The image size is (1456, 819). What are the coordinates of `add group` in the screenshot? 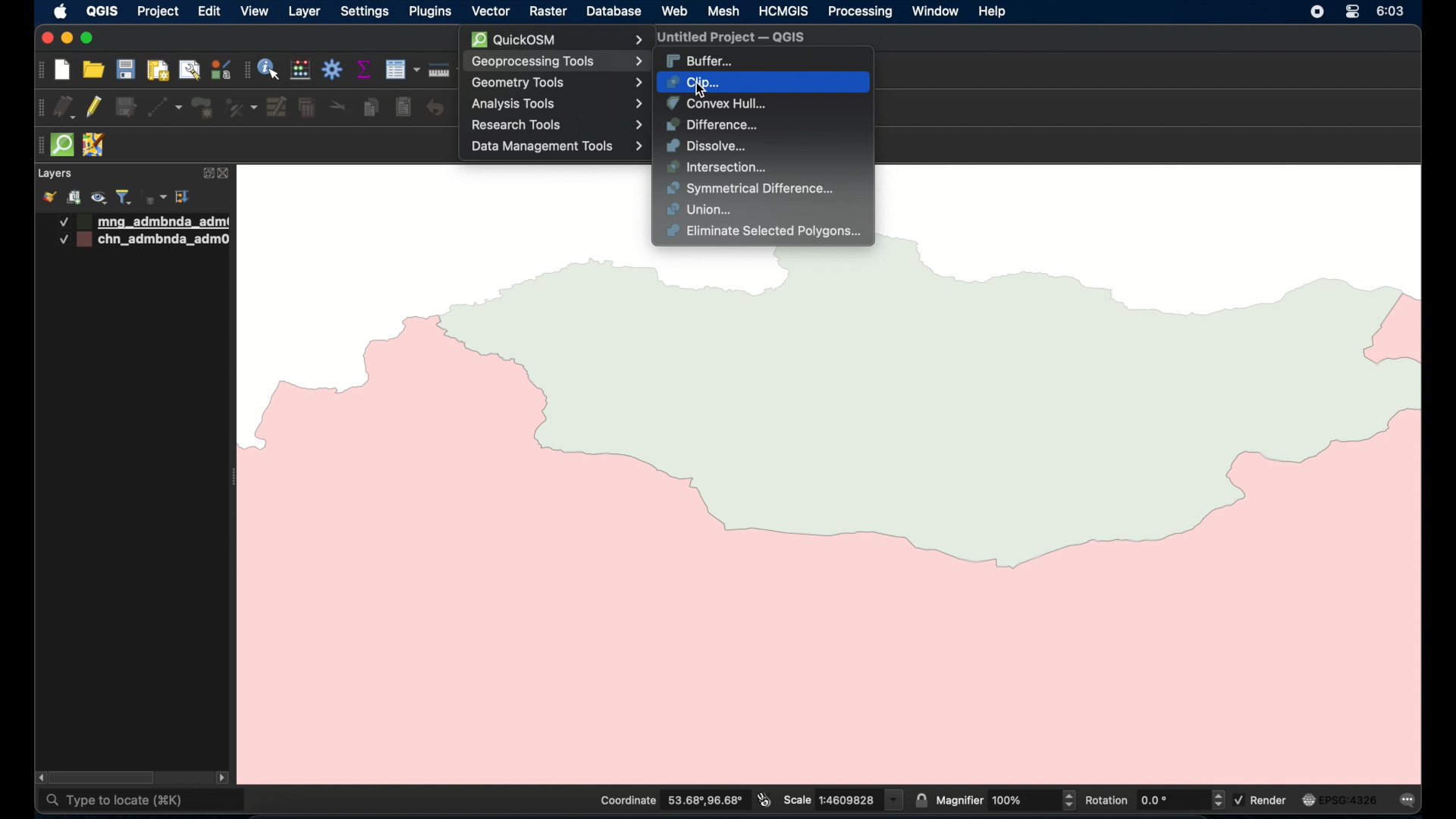 It's located at (74, 197).